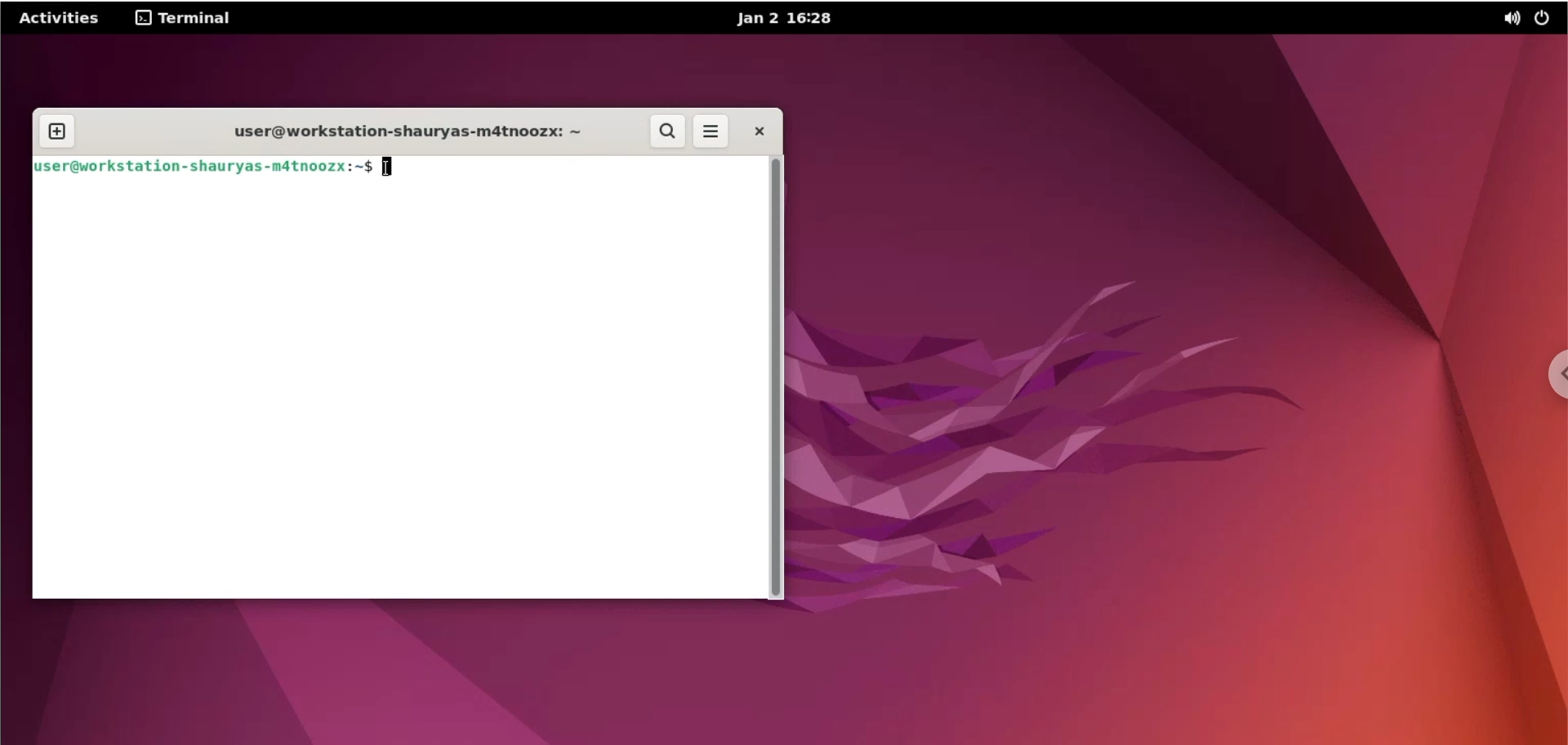 The width and height of the screenshot is (1568, 745). What do you see at coordinates (1546, 19) in the screenshot?
I see `power options` at bounding box center [1546, 19].